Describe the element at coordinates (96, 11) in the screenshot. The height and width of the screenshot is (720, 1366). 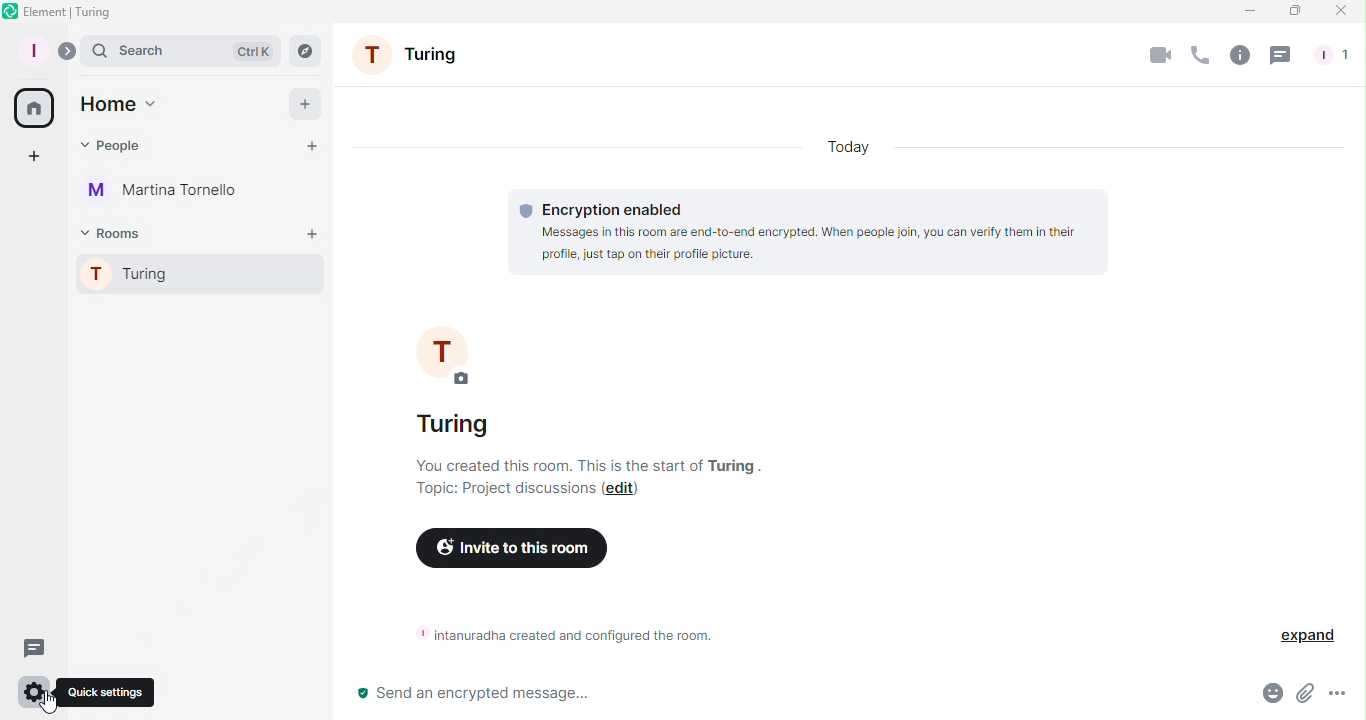
I see `turing` at that location.